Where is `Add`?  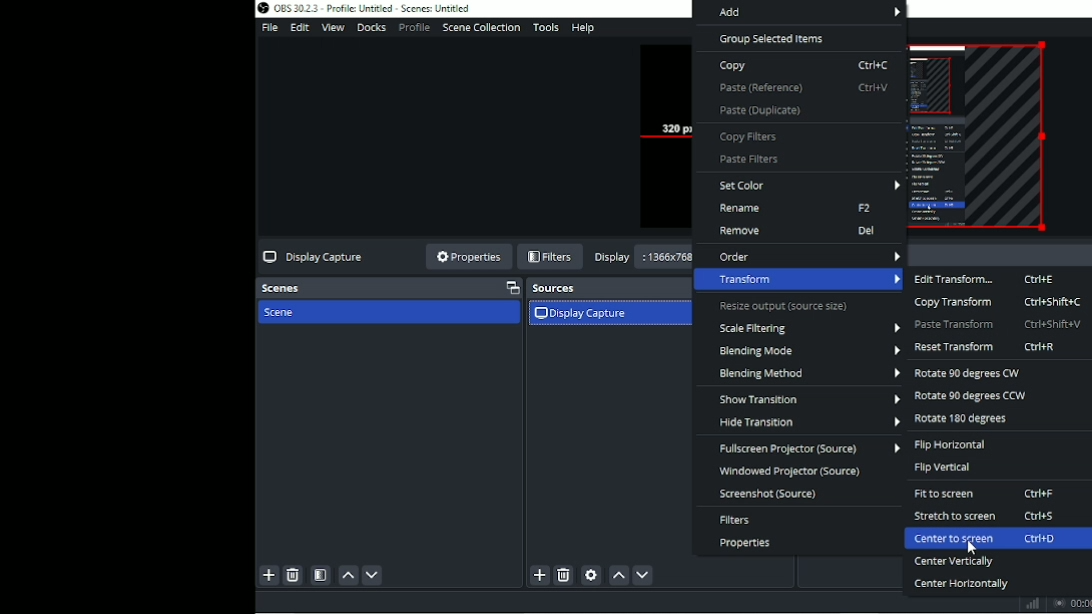
Add is located at coordinates (805, 12).